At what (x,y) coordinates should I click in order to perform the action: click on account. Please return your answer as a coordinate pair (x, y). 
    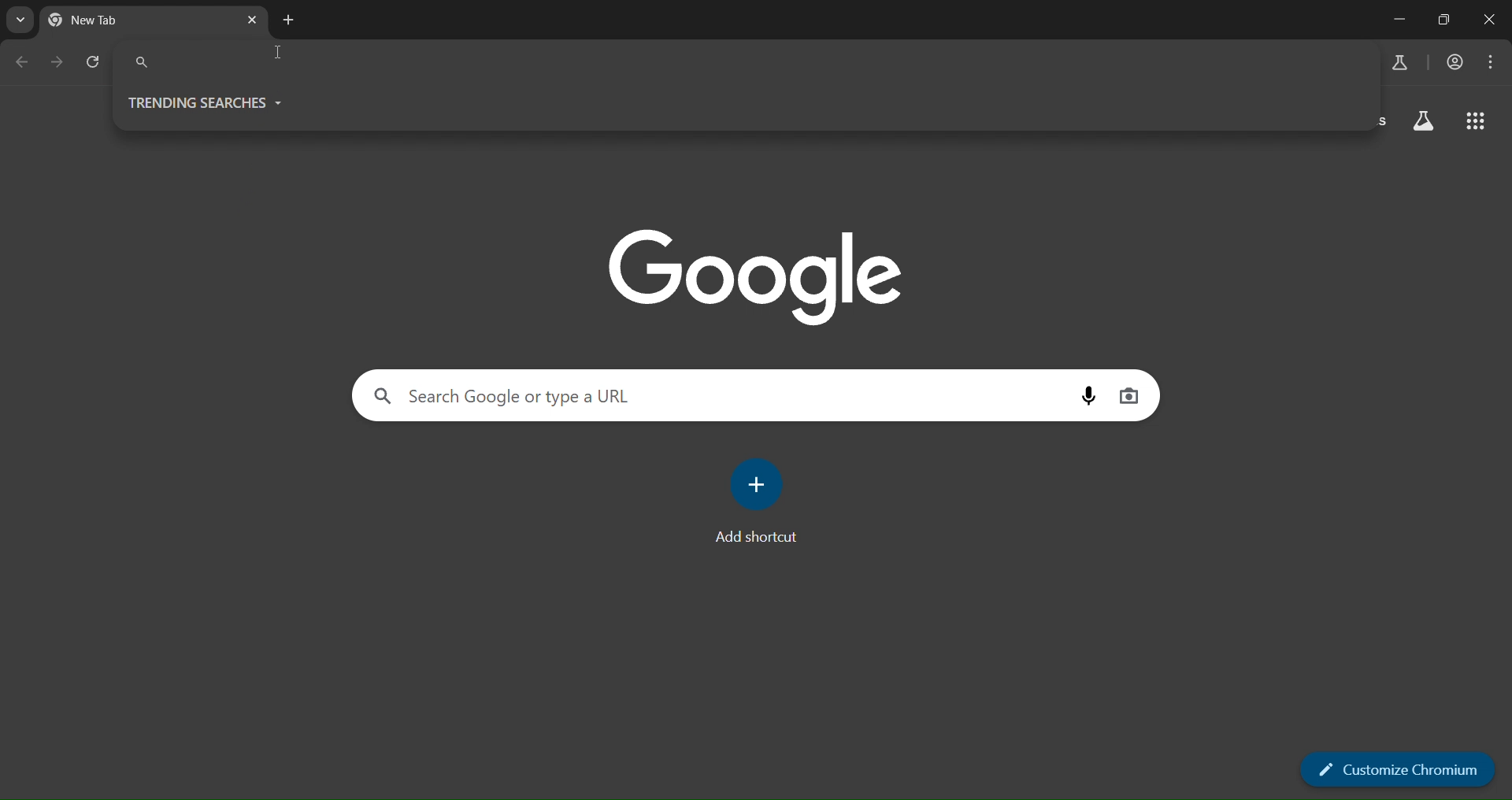
    Looking at the image, I should click on (1456, 62).